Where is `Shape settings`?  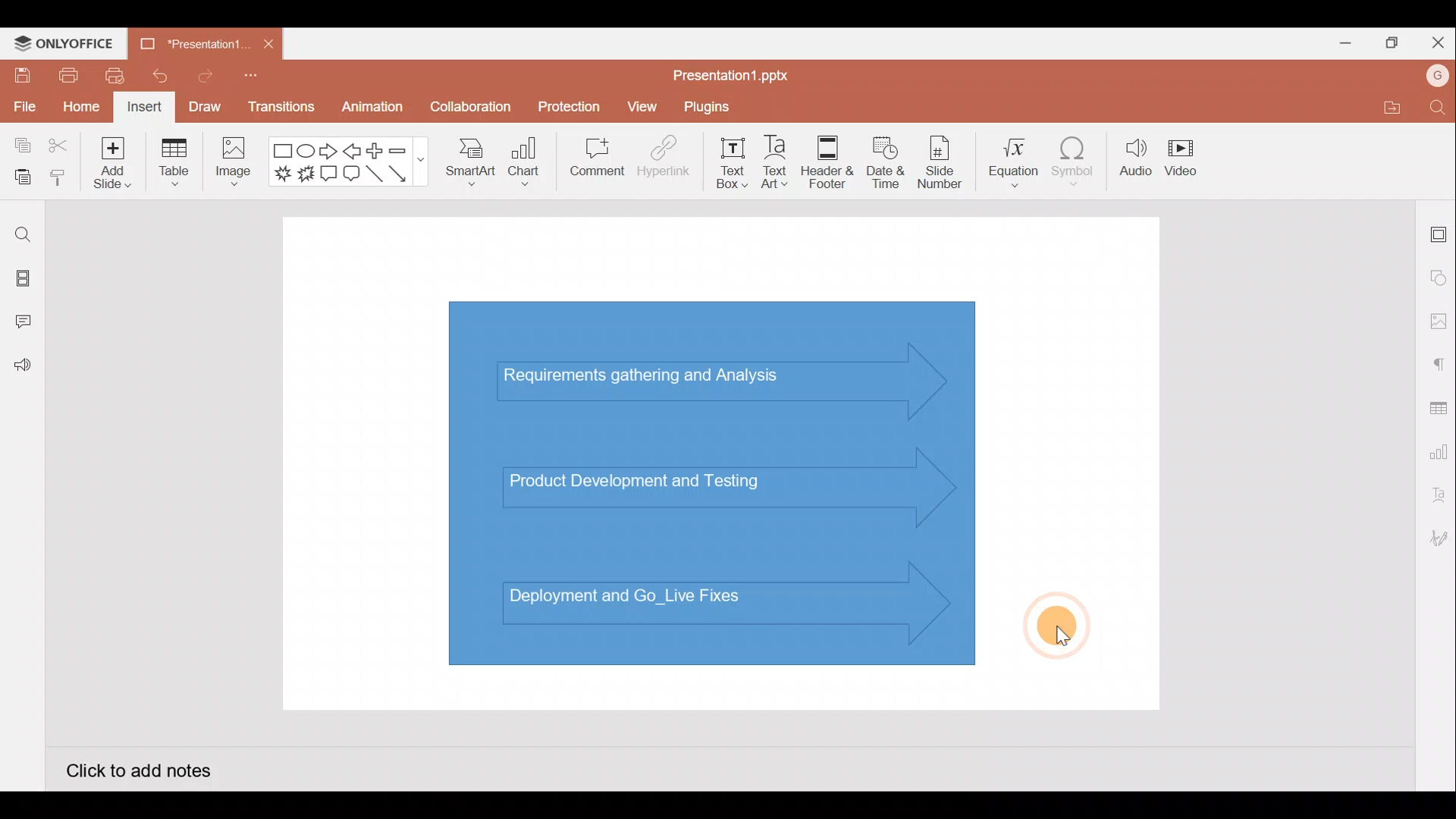
Shape settings is located at coordinates (1439, 277).